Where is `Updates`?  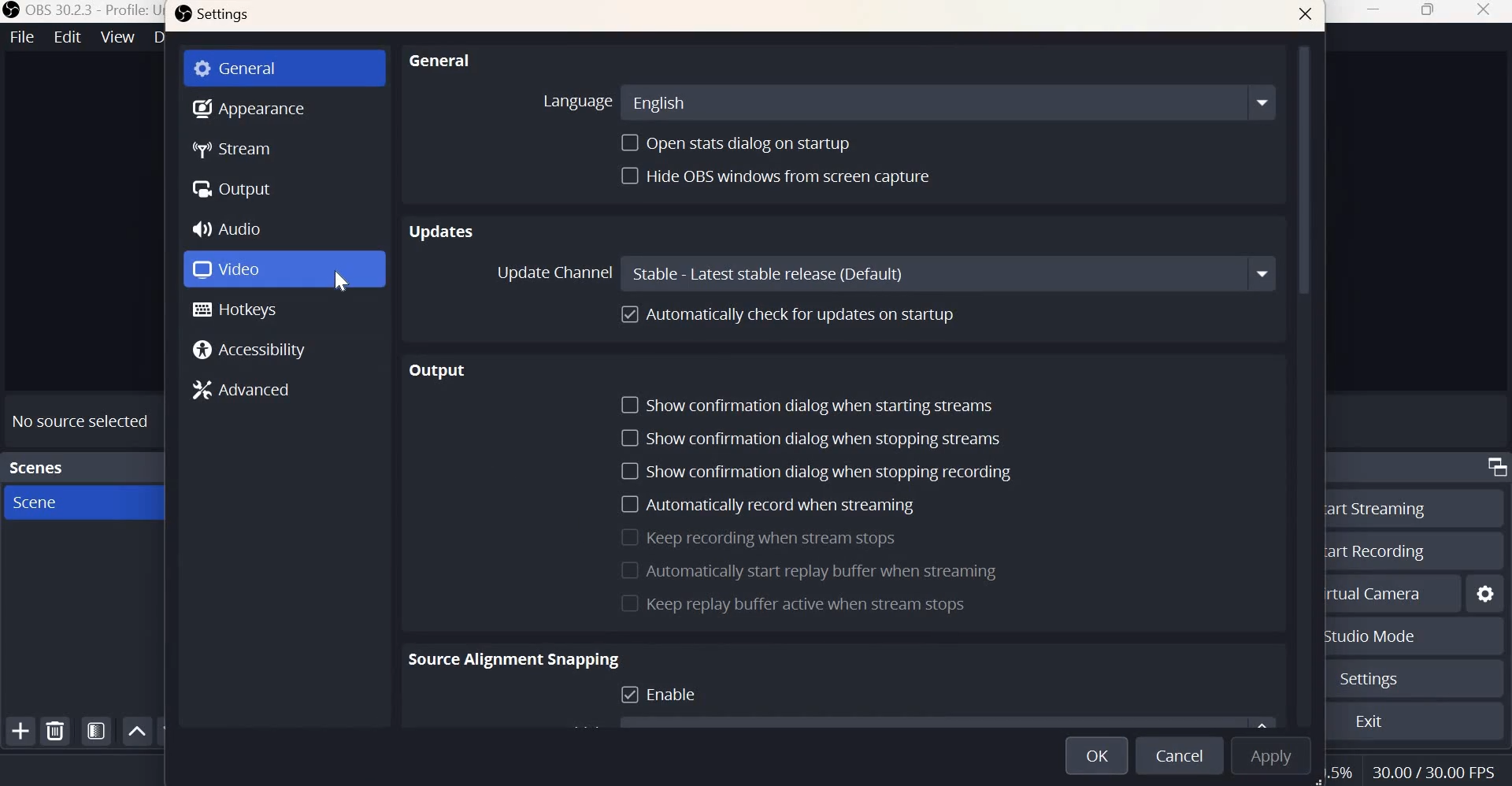
Updates is located at coordinates (441, 232).